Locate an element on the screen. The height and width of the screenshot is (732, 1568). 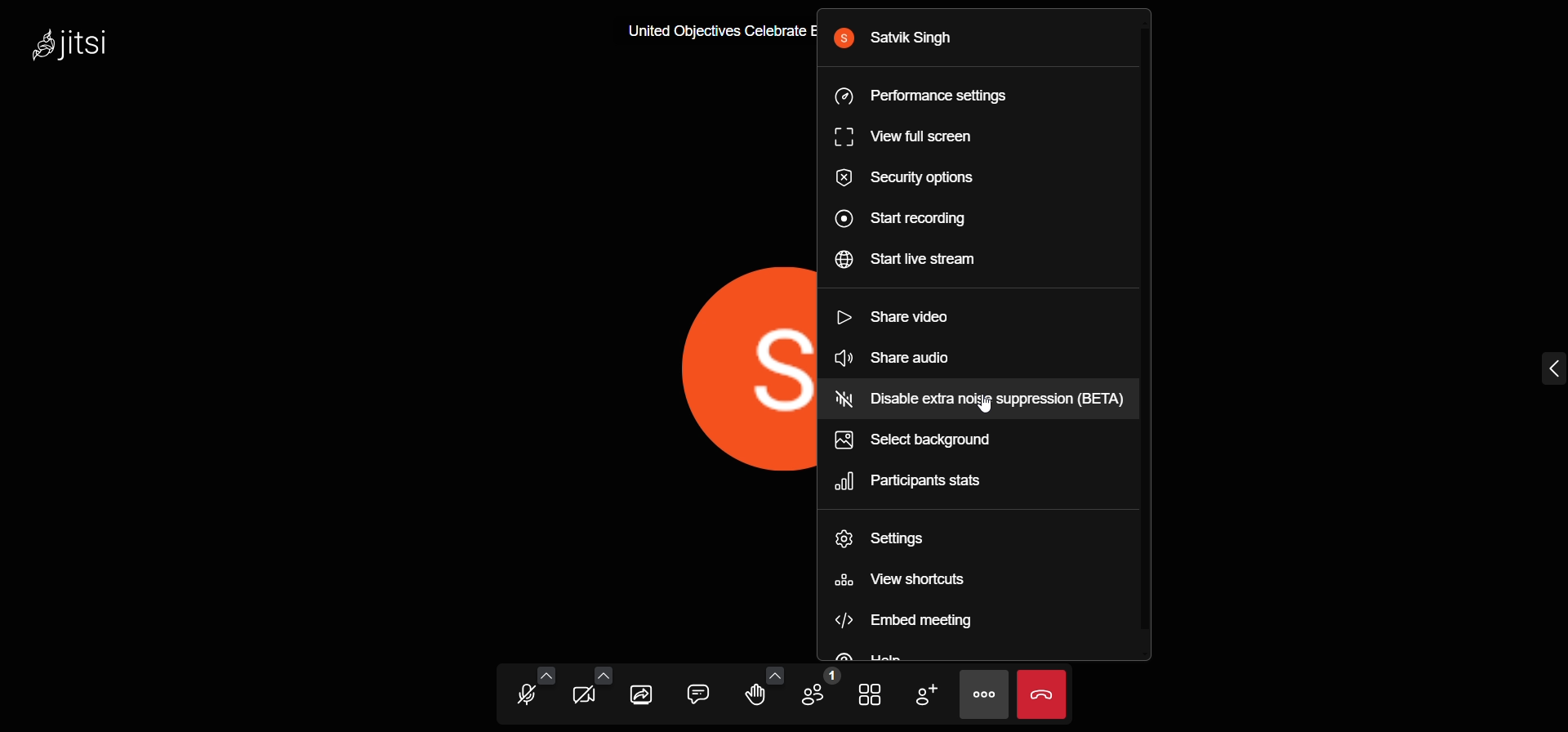
view full screen  is located at coordinates (907, 139).